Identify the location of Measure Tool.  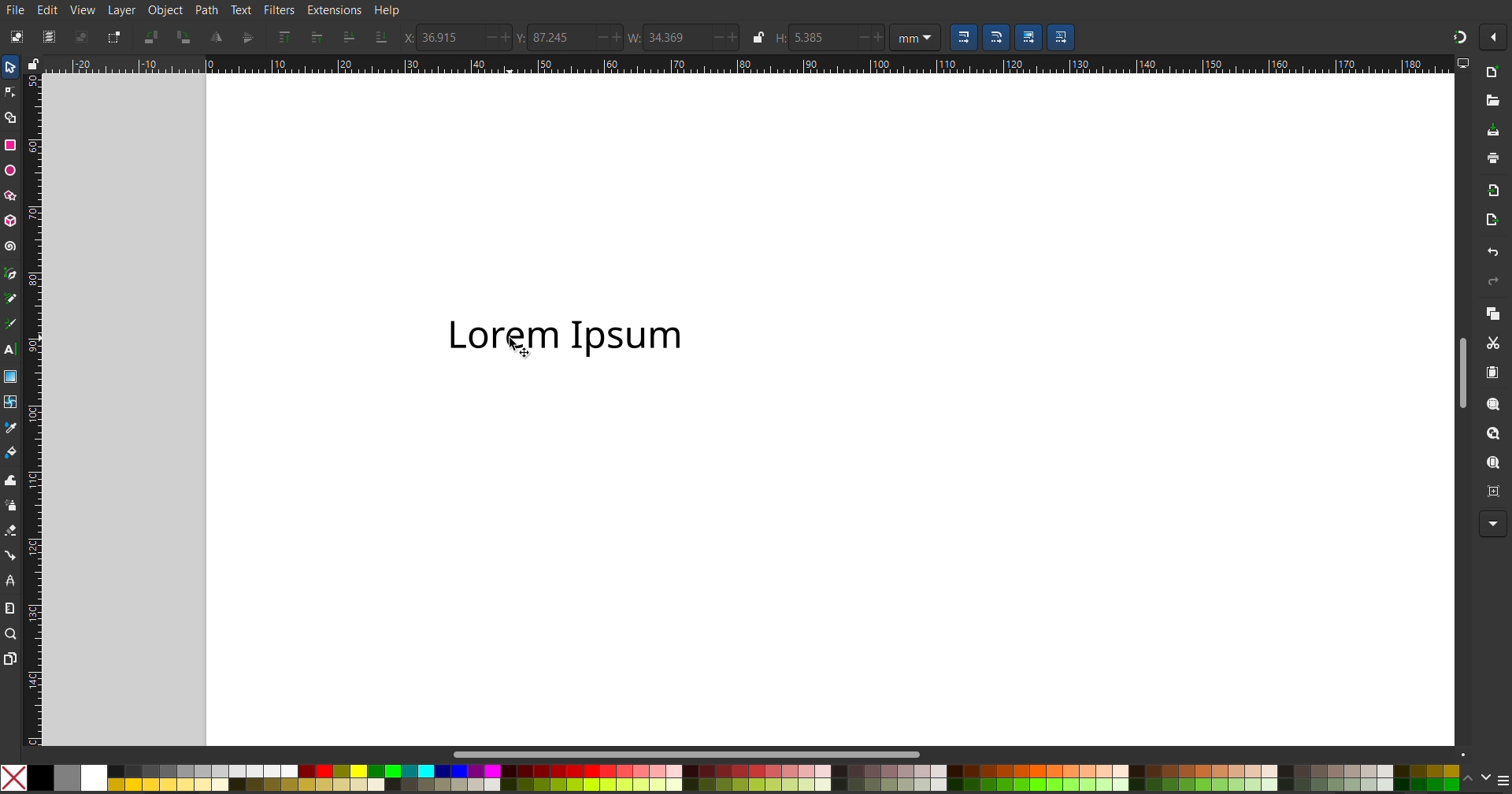
(11, 608).